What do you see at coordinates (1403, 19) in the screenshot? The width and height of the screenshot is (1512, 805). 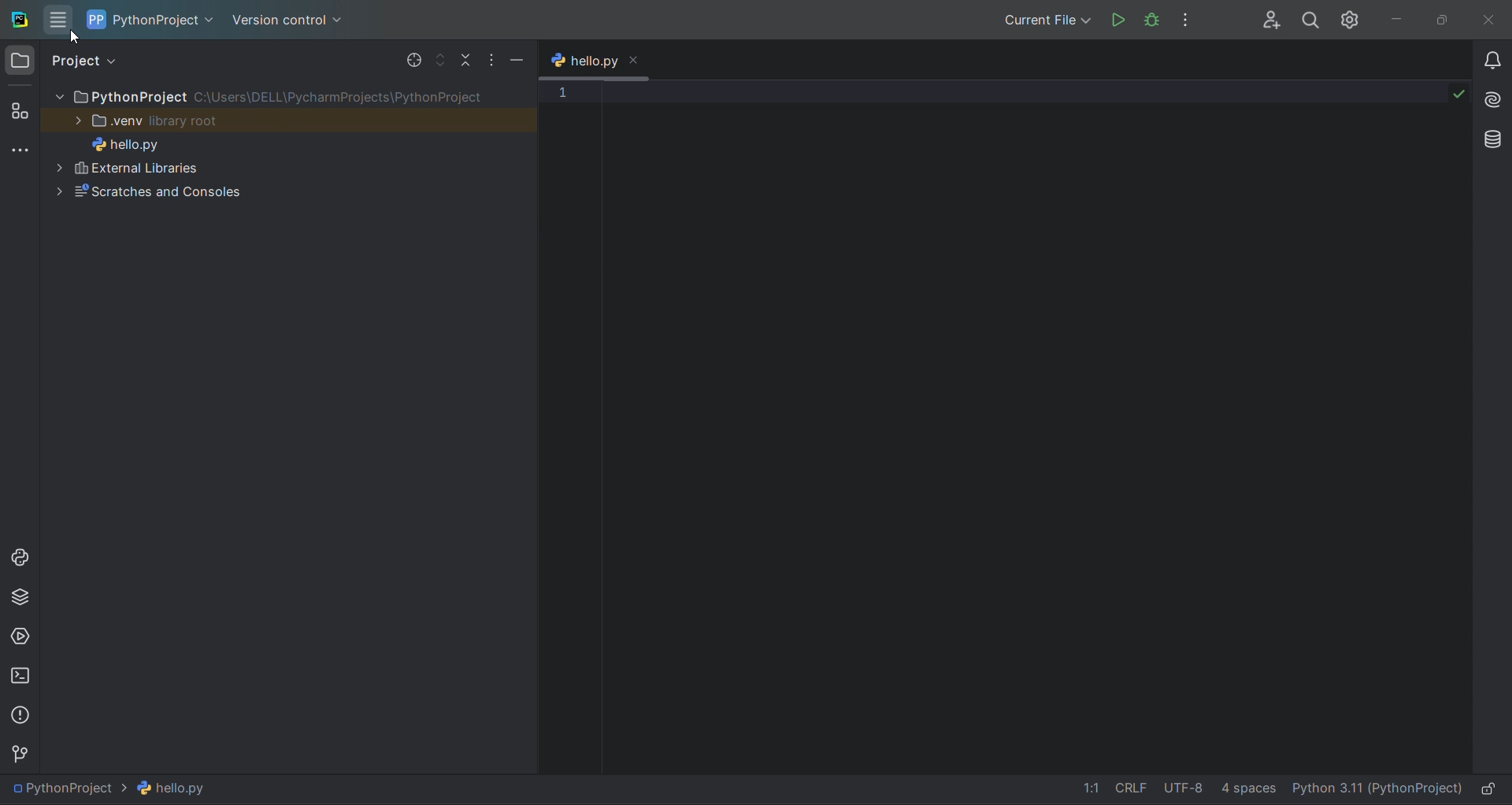 I see `minimize` at bounding box center [1403, 19].